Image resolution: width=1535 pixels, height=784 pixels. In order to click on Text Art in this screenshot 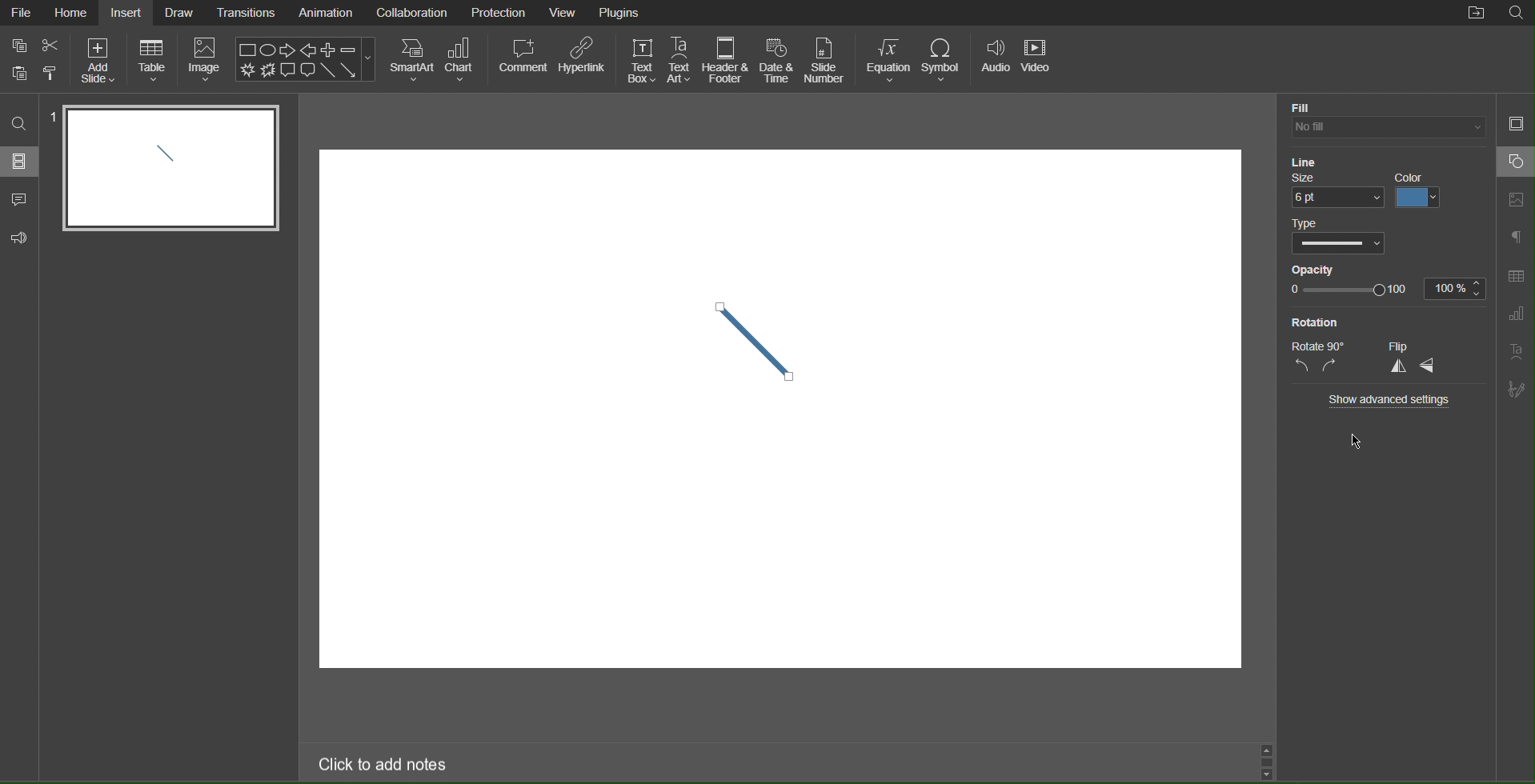, I will do `click(680, 60)`.